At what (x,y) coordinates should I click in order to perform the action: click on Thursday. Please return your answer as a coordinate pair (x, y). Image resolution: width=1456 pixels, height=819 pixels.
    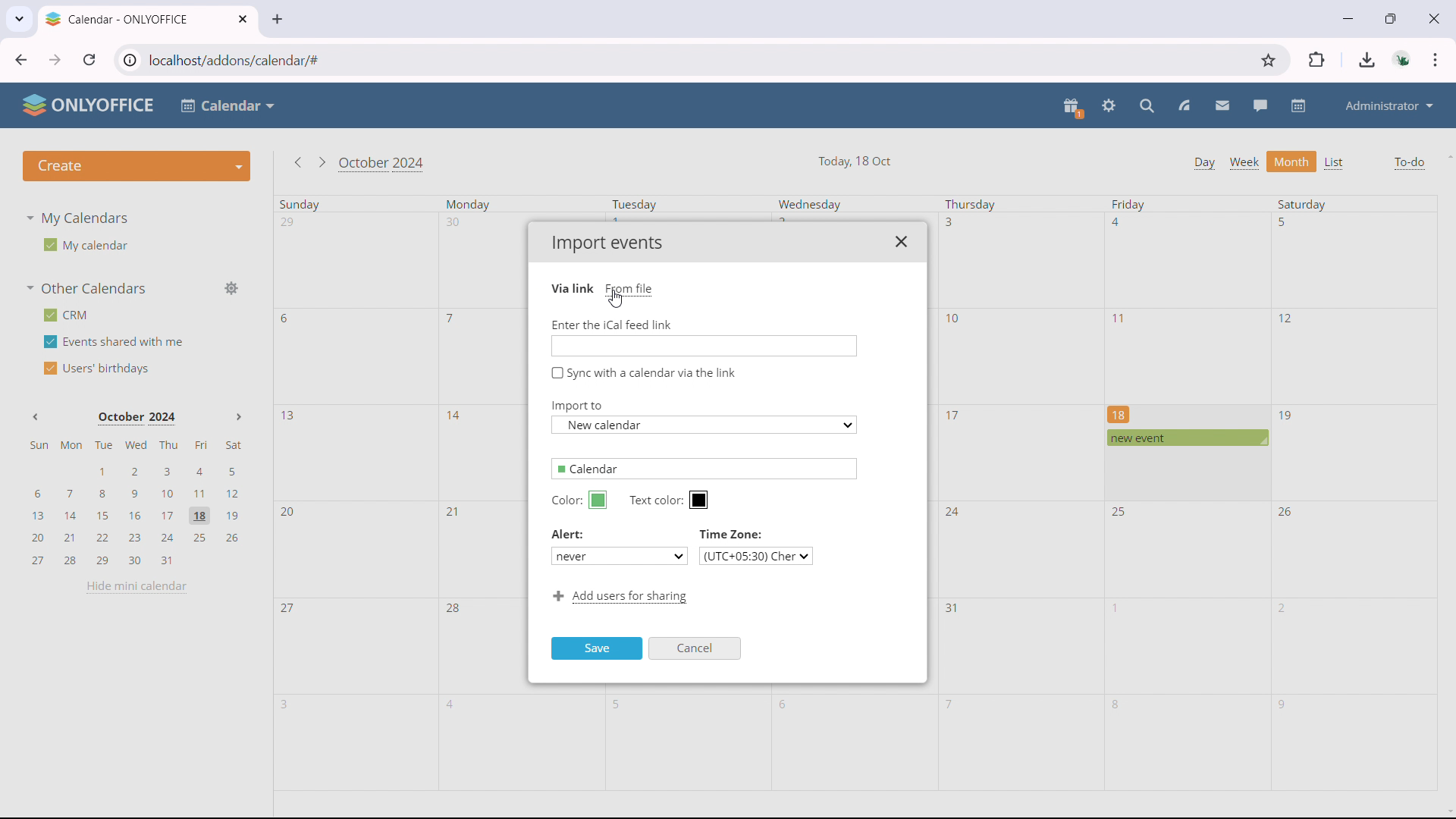
    Looking at the image, I should click on (971, 205).